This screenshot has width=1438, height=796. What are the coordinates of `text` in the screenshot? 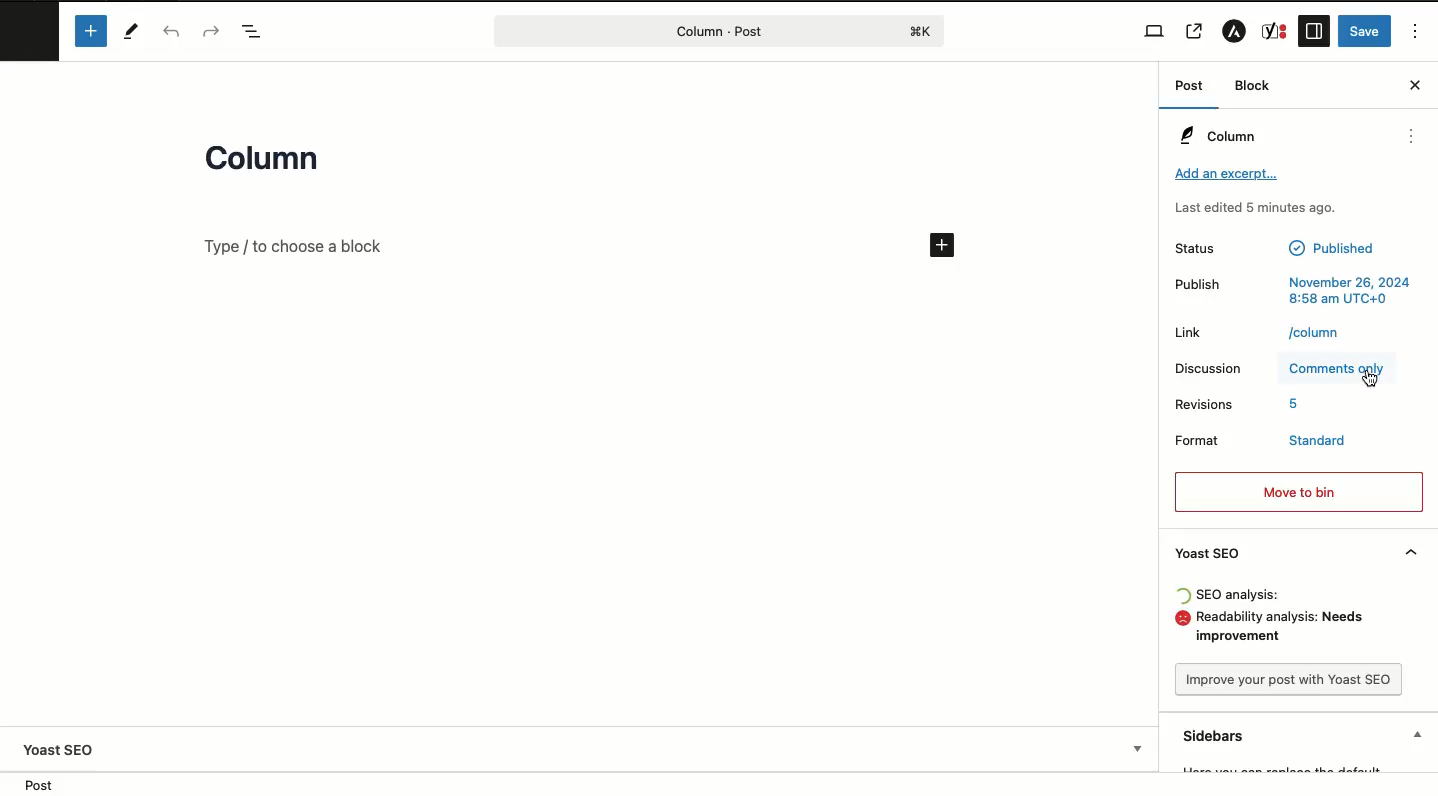 It's located at (1238, 596).